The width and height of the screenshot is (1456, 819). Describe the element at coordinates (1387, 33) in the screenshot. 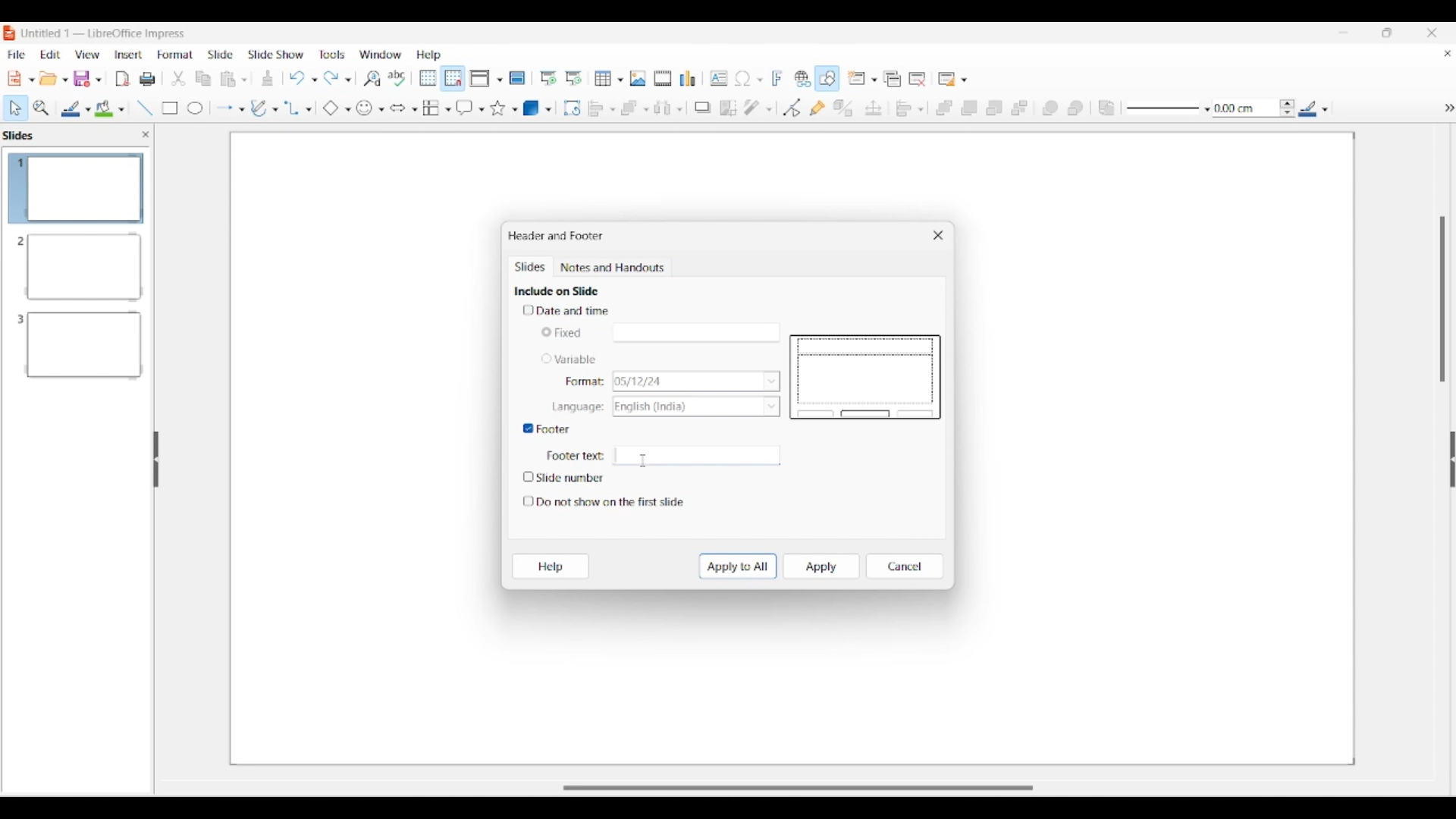

I see `Show in smaller tab` at that location.